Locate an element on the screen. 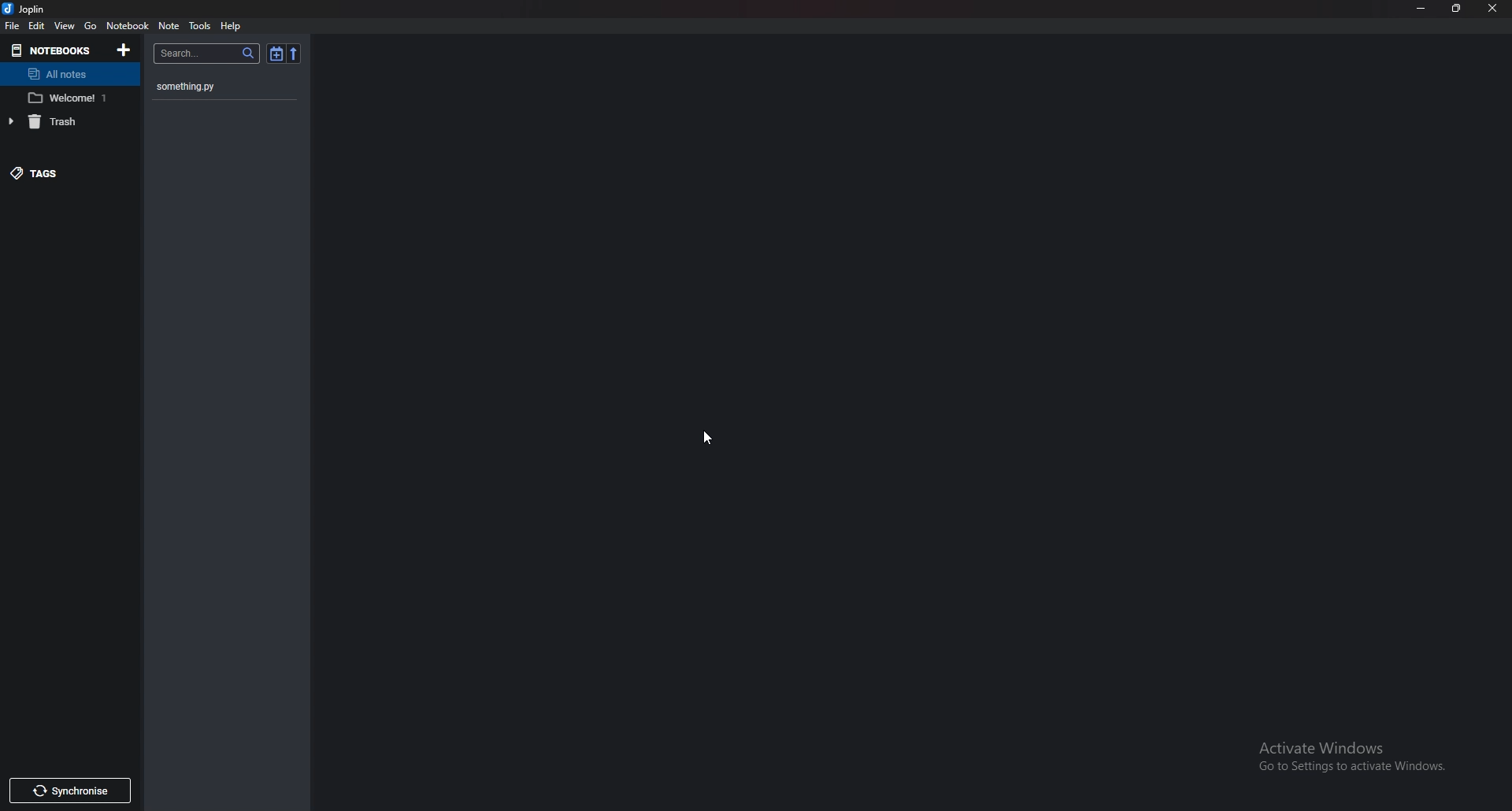 This screenshot has width=1512, height=811. activate windows is located at coordinates (1342, 751).